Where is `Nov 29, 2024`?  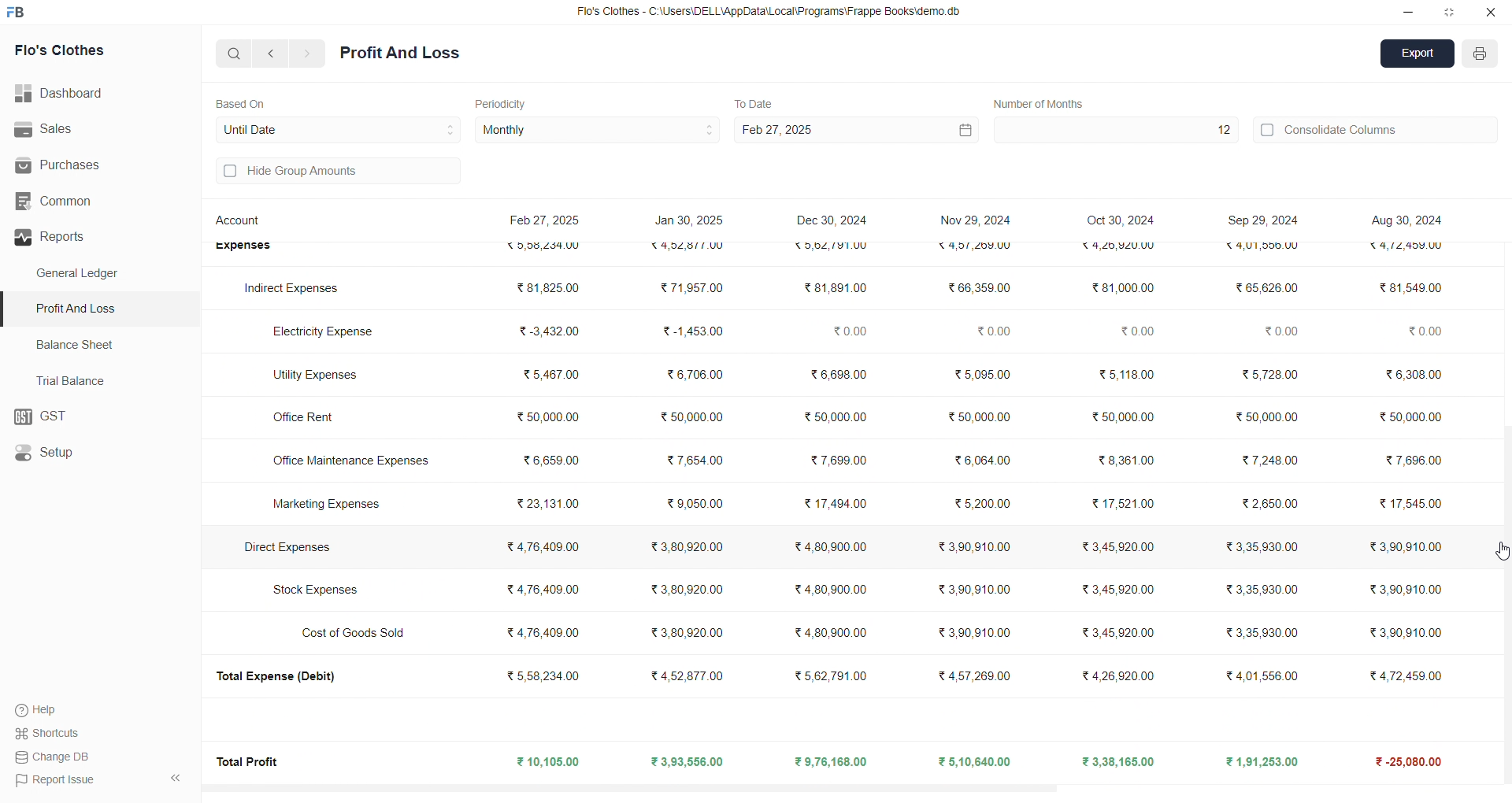
Nov 29, 2024 is located at coordinates (975, 217).